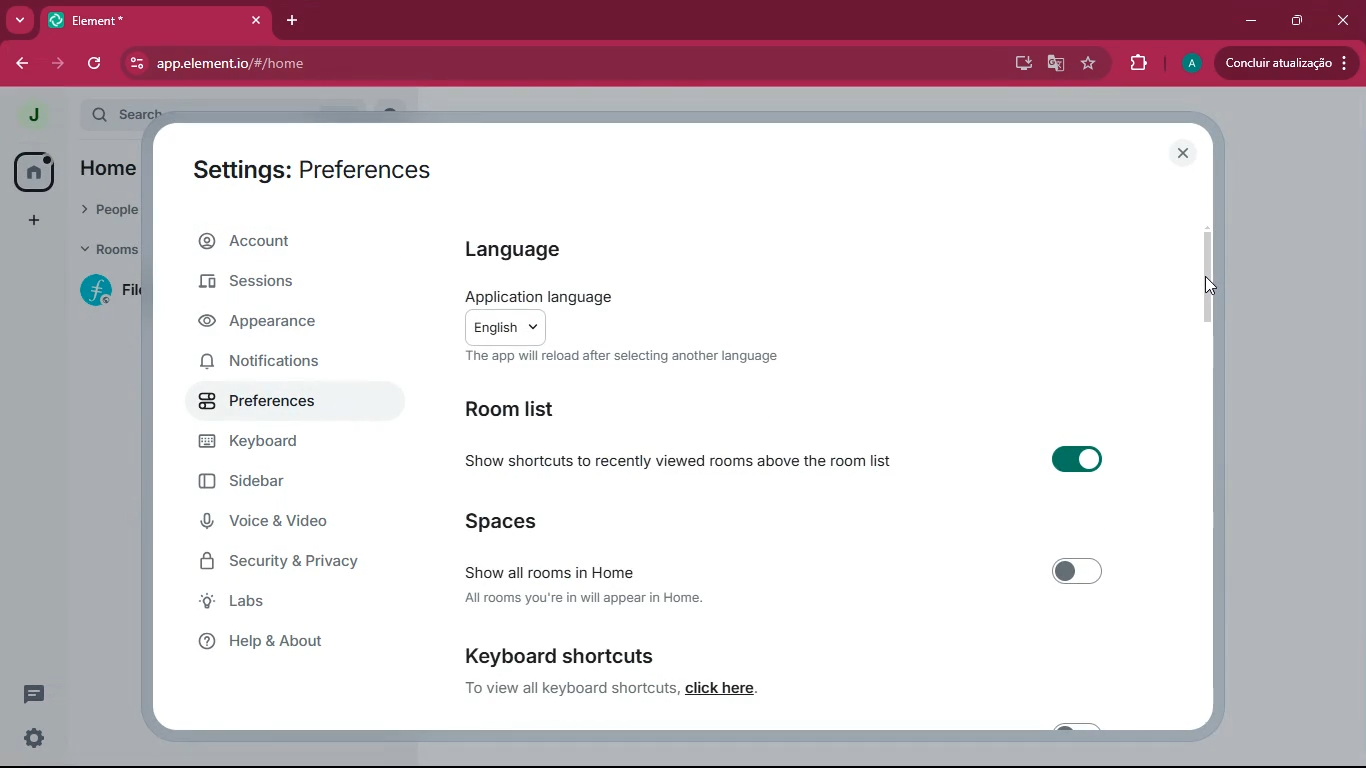 The height and width of the screenshot is (768, 1366). Describe the element at coordinates (272, 364) in the screenshot. I see `notifications` at that location.